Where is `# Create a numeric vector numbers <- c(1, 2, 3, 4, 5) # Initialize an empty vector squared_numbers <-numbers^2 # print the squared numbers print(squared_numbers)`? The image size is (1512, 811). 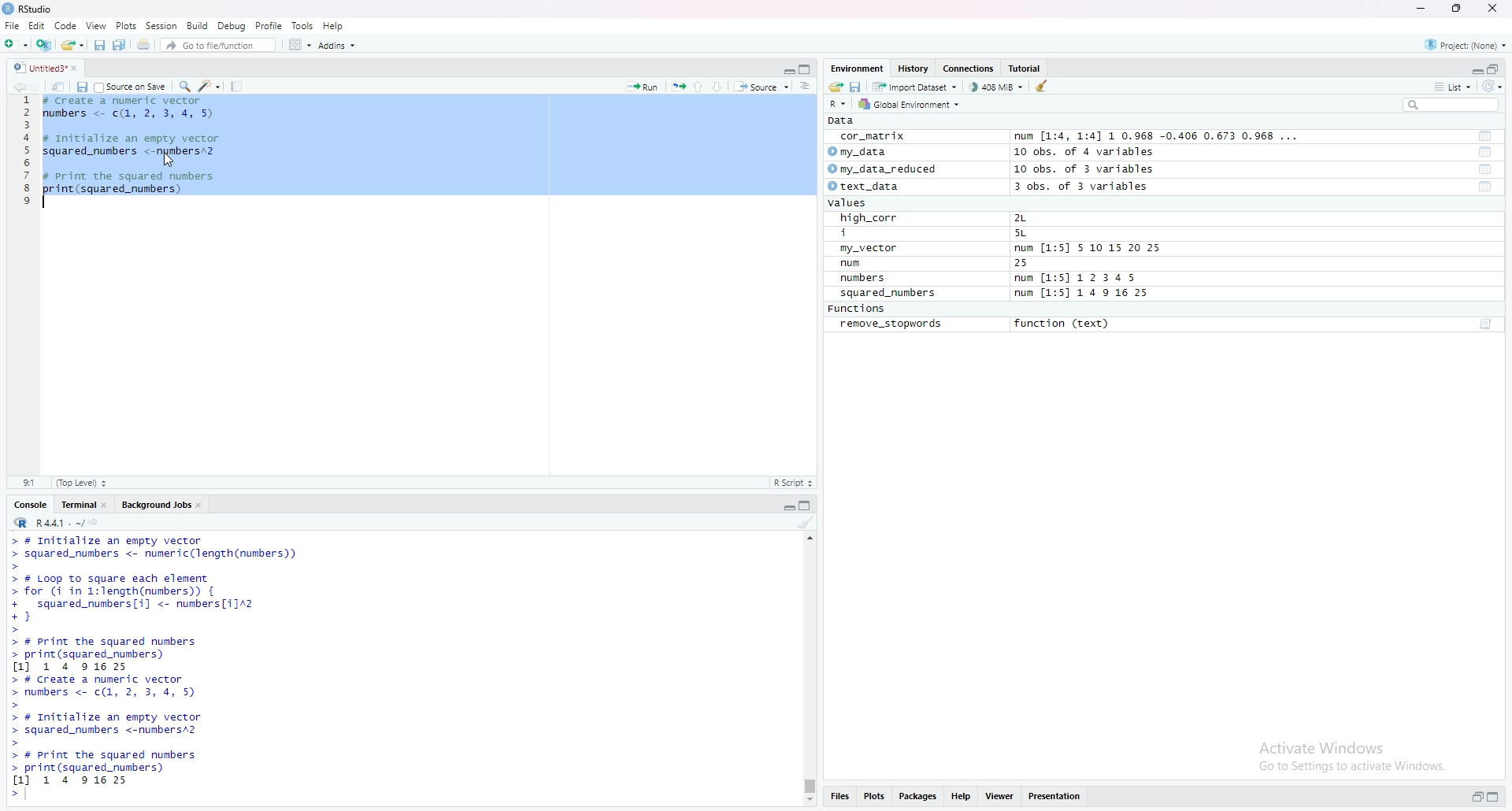
# Create a numeric vector numbers <- c(1, 2, 3, 4, 5) # Initialize an empty vector squared_numbers <-numbers^2 # print the squared numbers print(squared_numbers) is located at coordinates (136, 154).